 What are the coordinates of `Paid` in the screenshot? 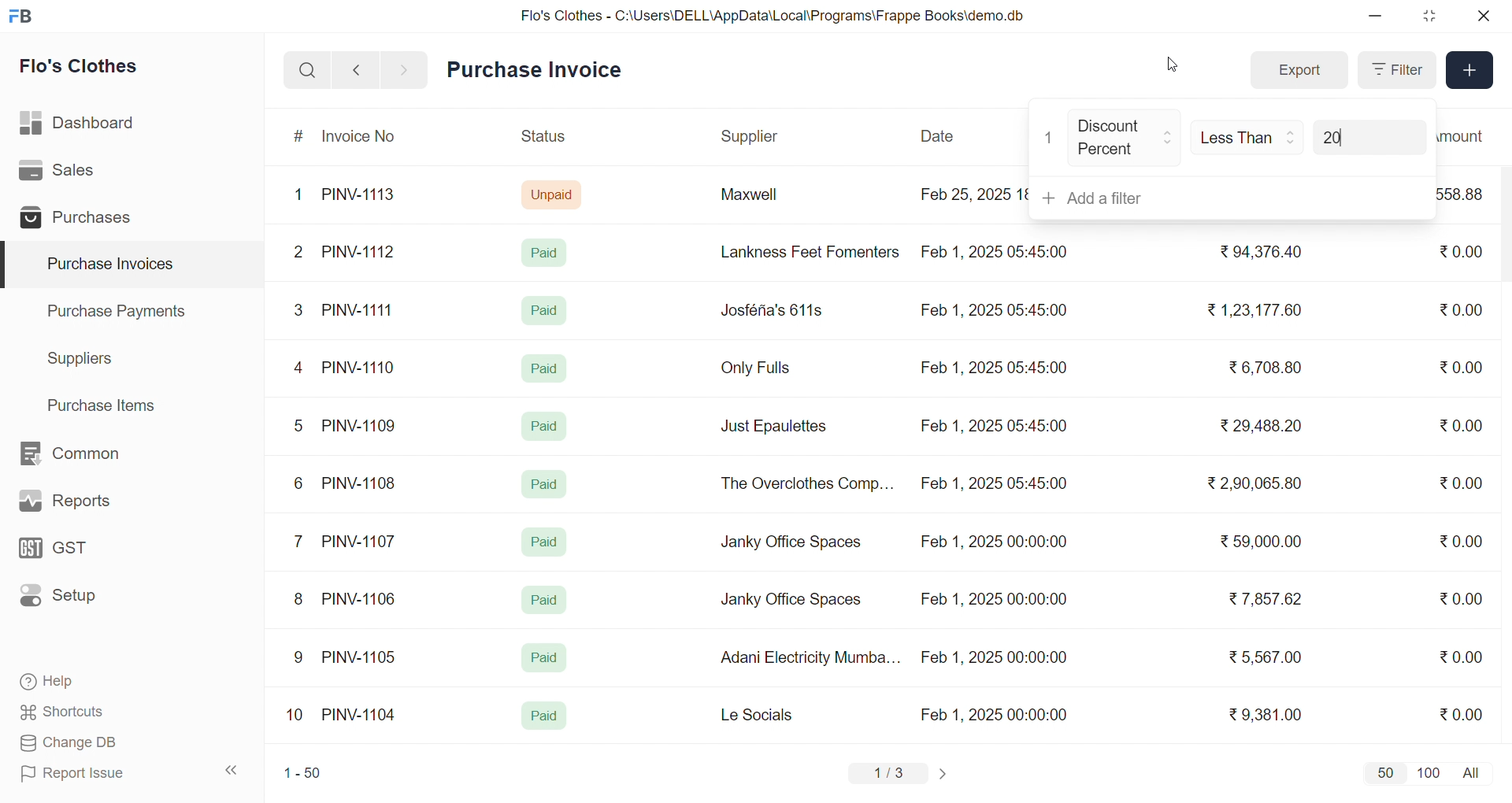 It's located at (545, 600).